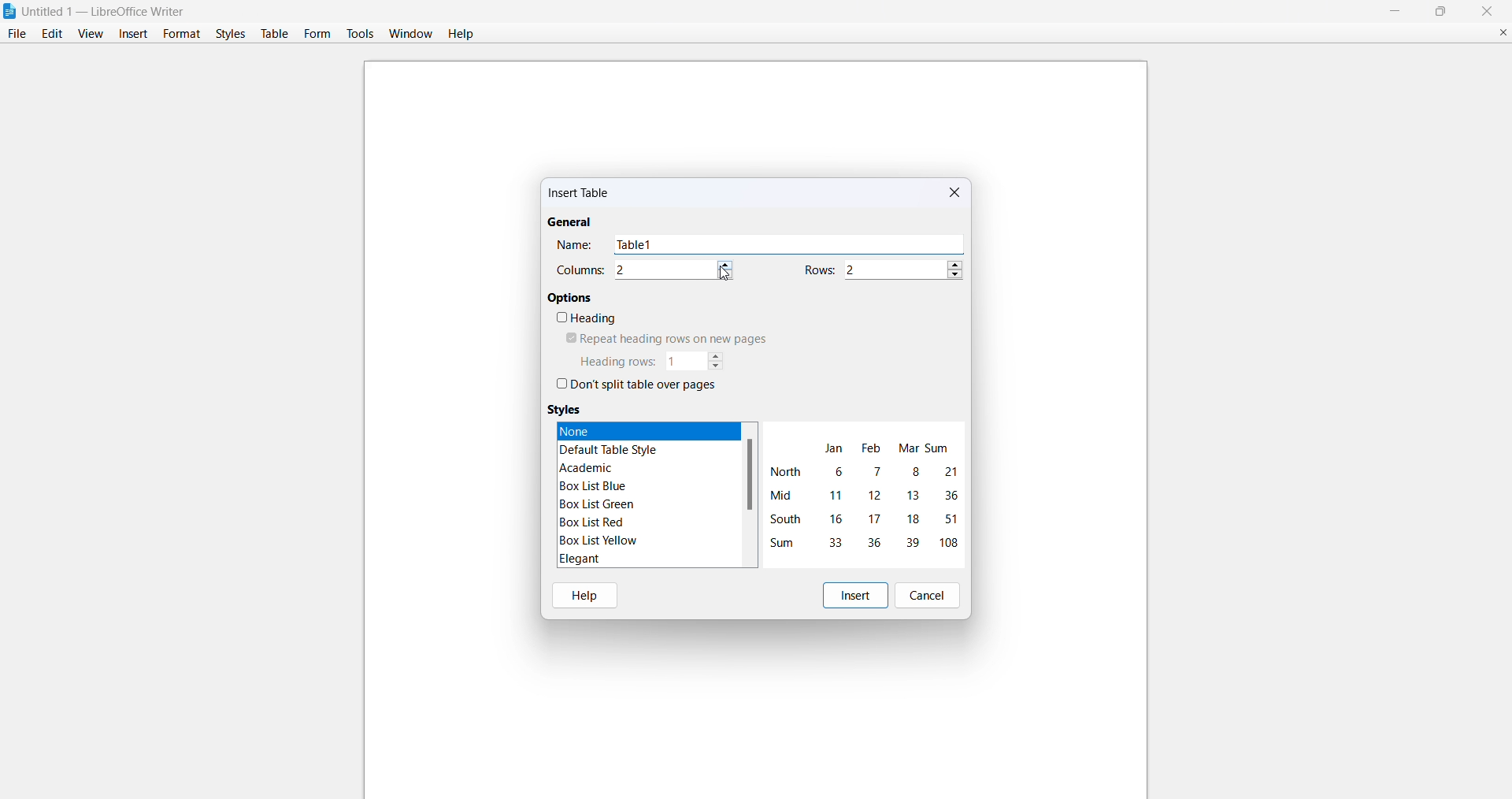 The width and height of the screenshot is (1512, 799). Describe the element at coordinates (228, 33) in the screenshot. I see `styles` at that location.